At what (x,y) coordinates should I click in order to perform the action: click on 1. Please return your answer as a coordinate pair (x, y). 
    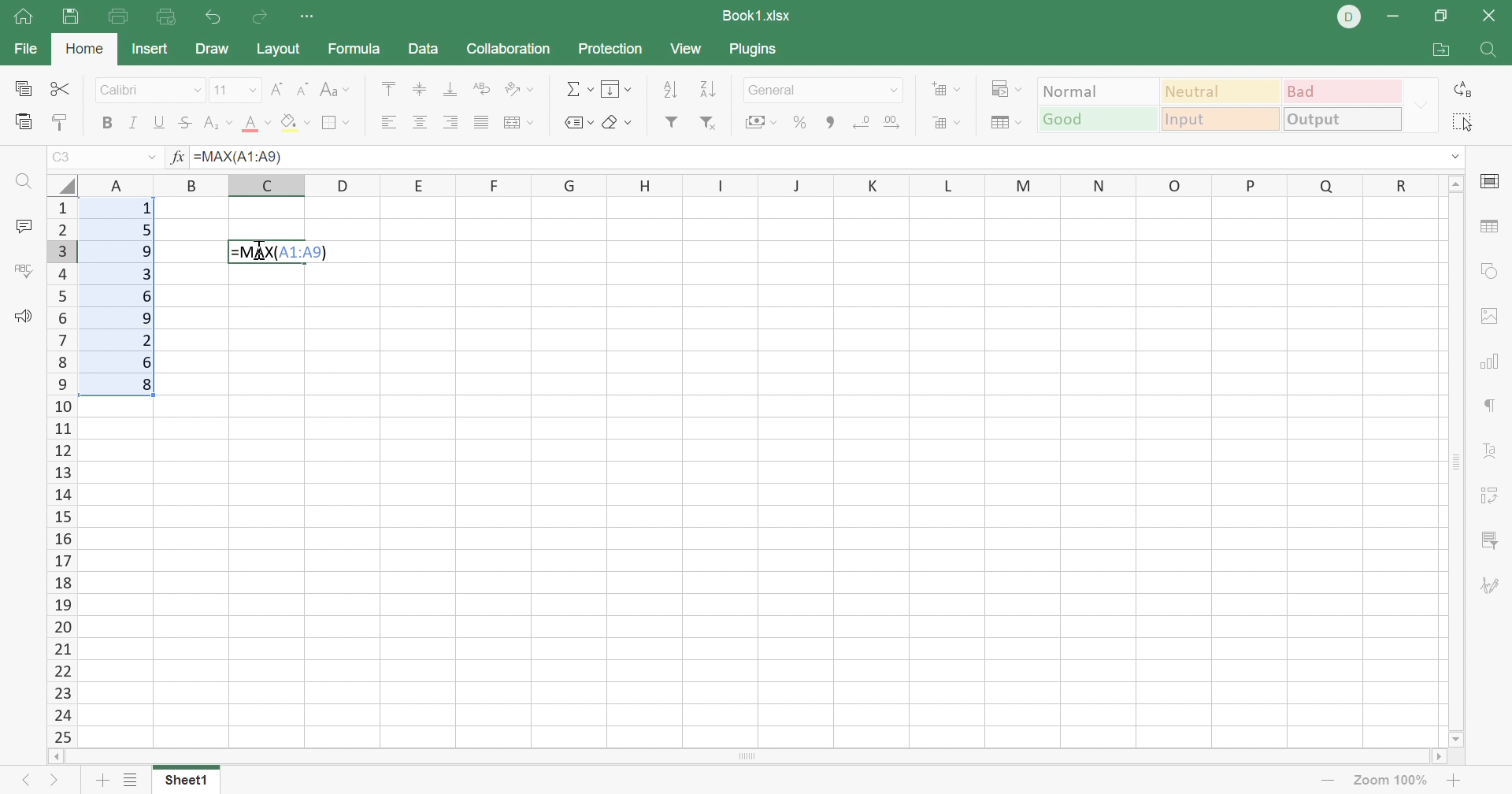
    Looking at the image, I should click on (147, 210).